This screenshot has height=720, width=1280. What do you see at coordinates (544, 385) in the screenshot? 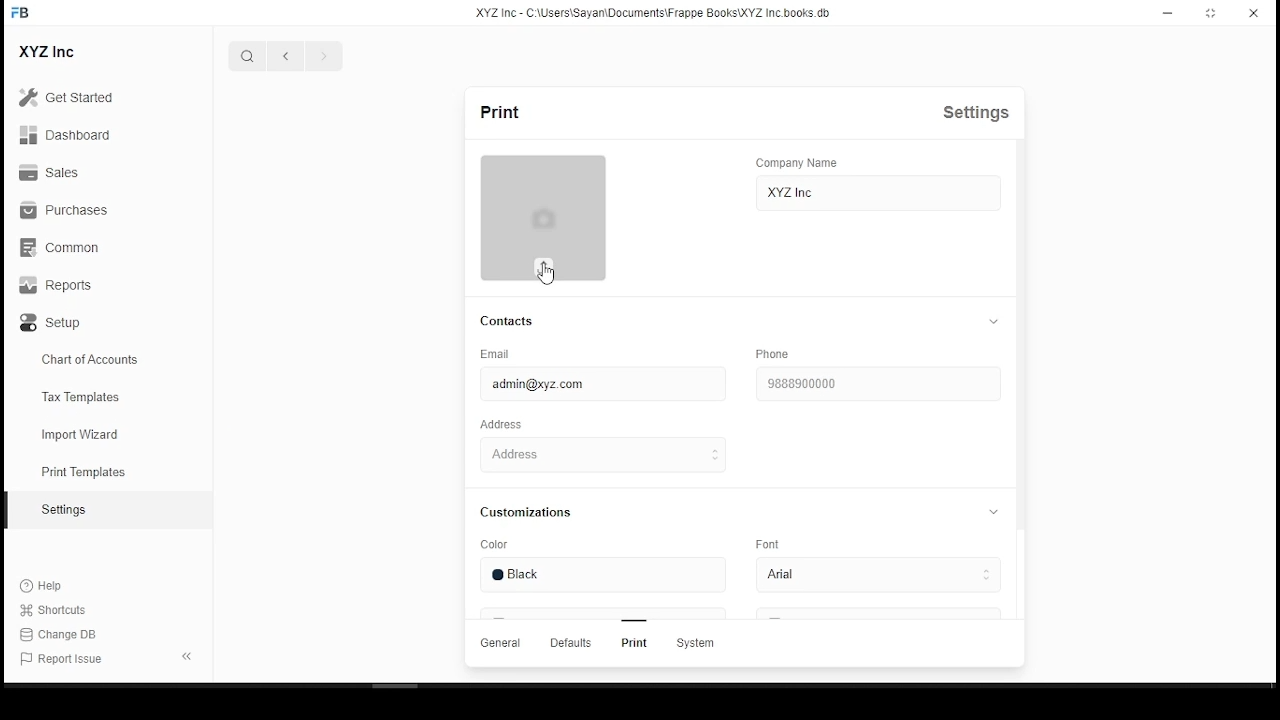
I see `admin@xyz.com` at bounding box center [544, 385].